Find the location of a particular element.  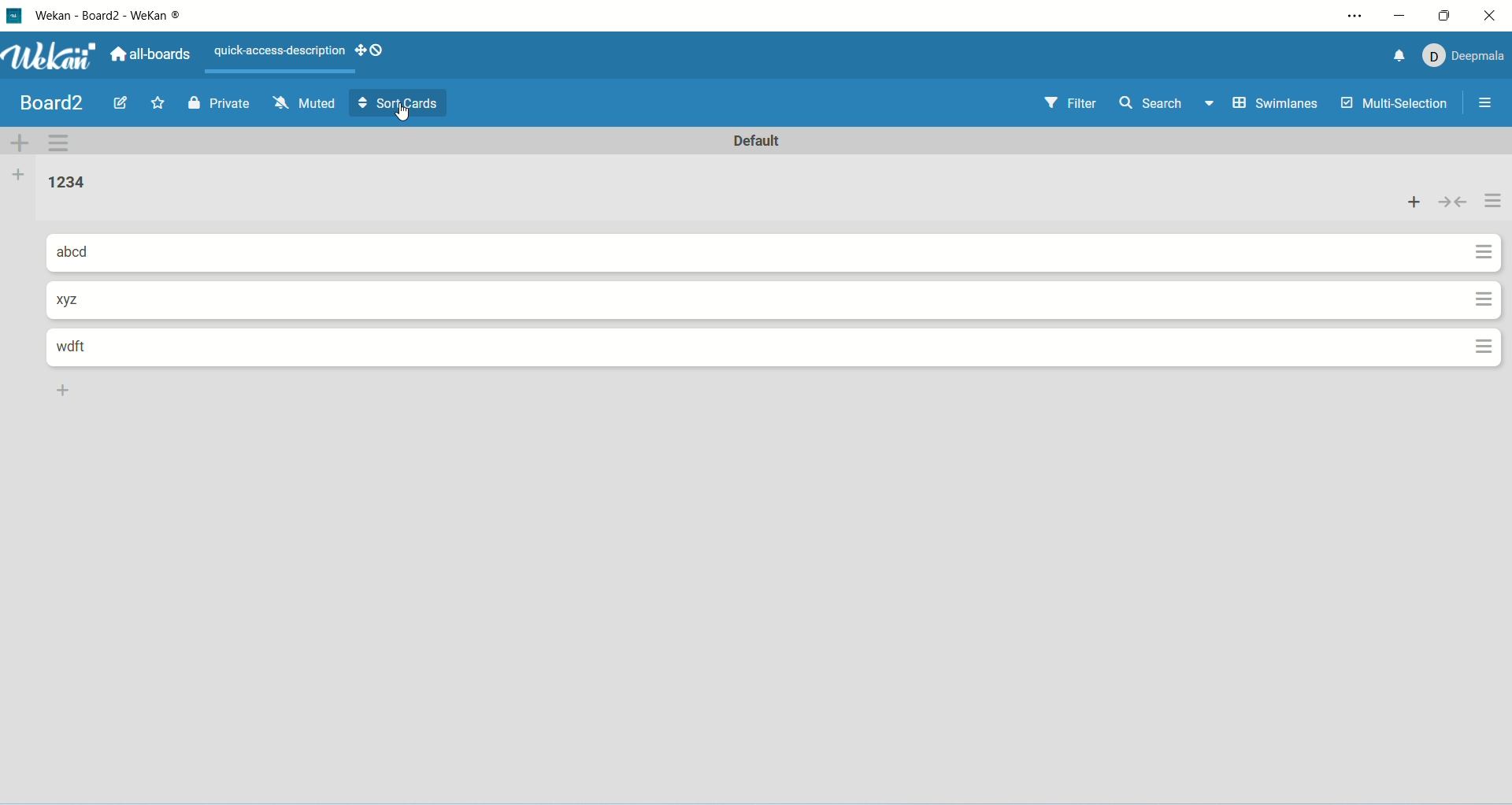

title is located at coordinates (54, 103).